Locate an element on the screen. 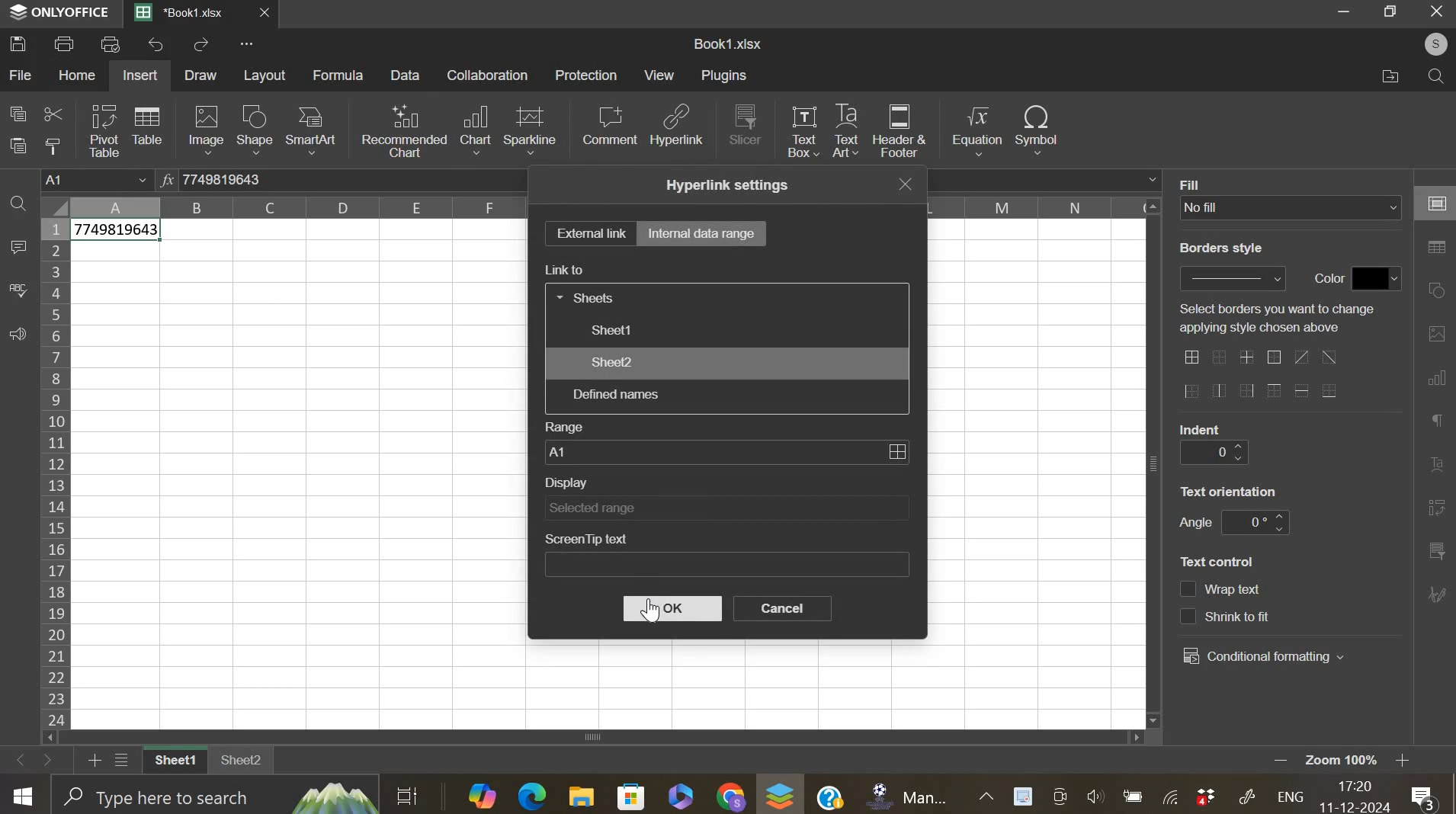  text orientation angle is located at coordinates (1255, 522).